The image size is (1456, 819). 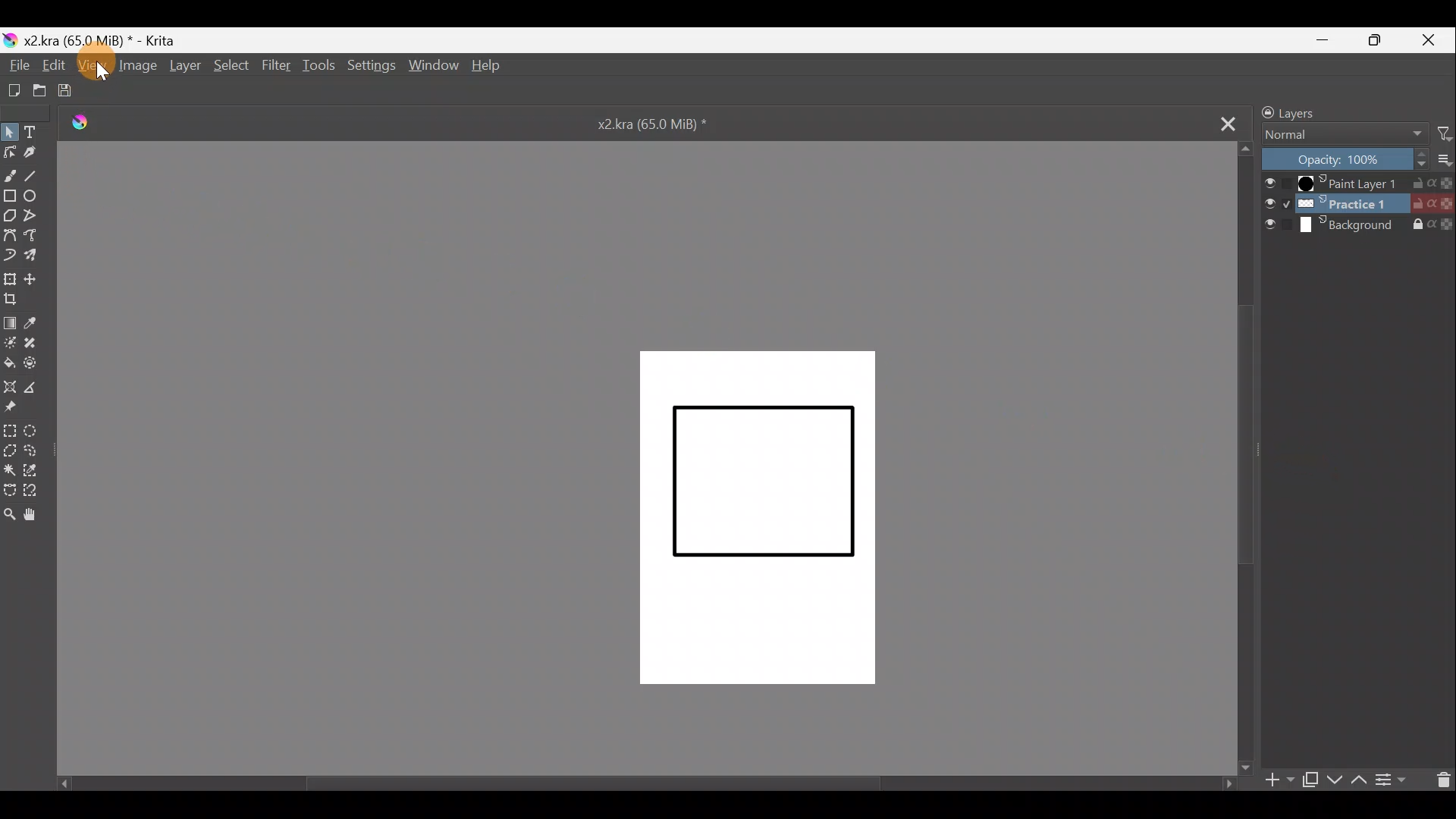 What do you see at coordinates (12, 468) in the screenshot?
I see `Contiguous selection tool` at bounding box center [12, 468].